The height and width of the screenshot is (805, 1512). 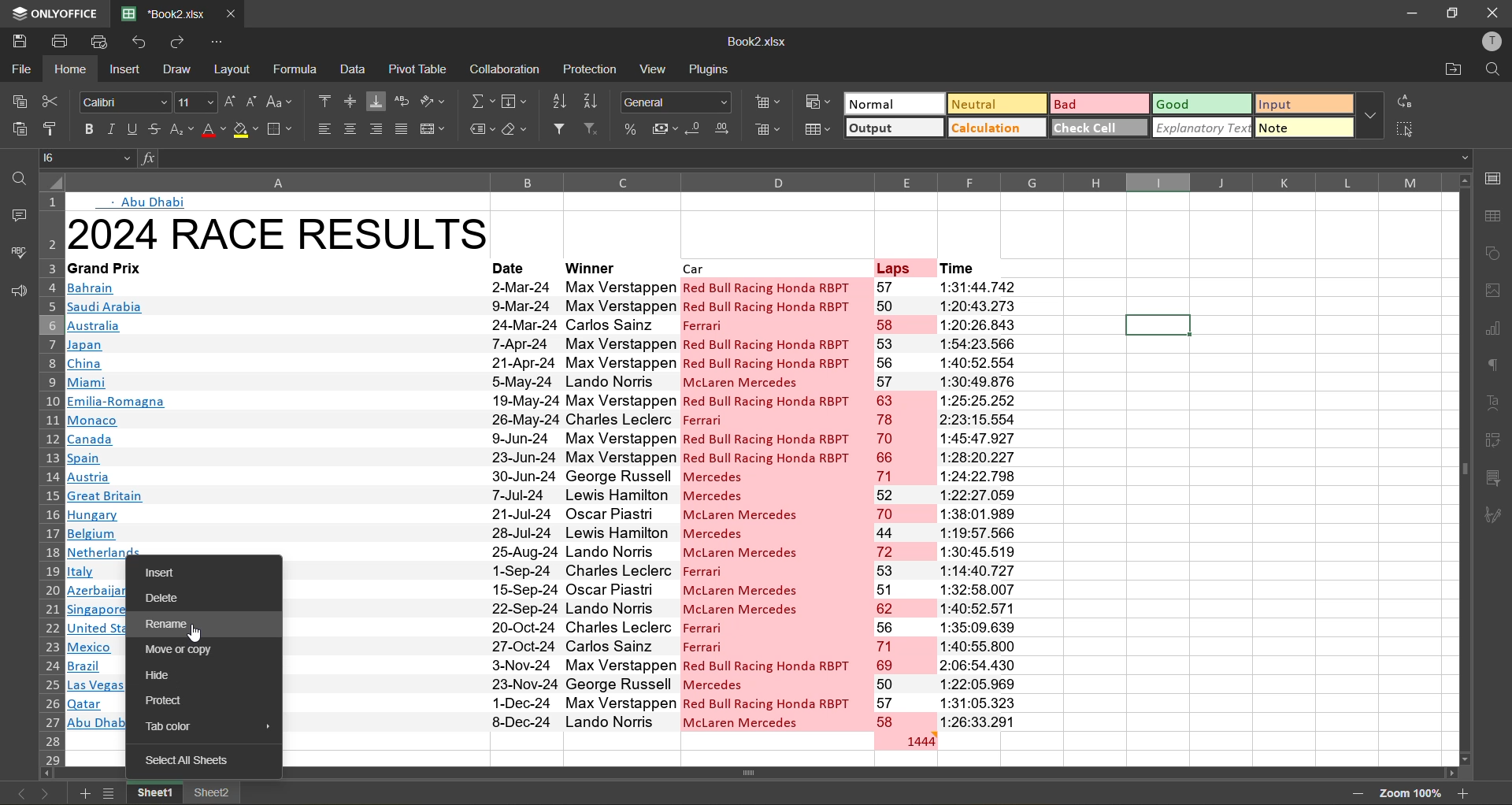 What do you see at coordinates (213, 792) in the screenshot?
I see `sheet2` at bounding box center [213, 792].